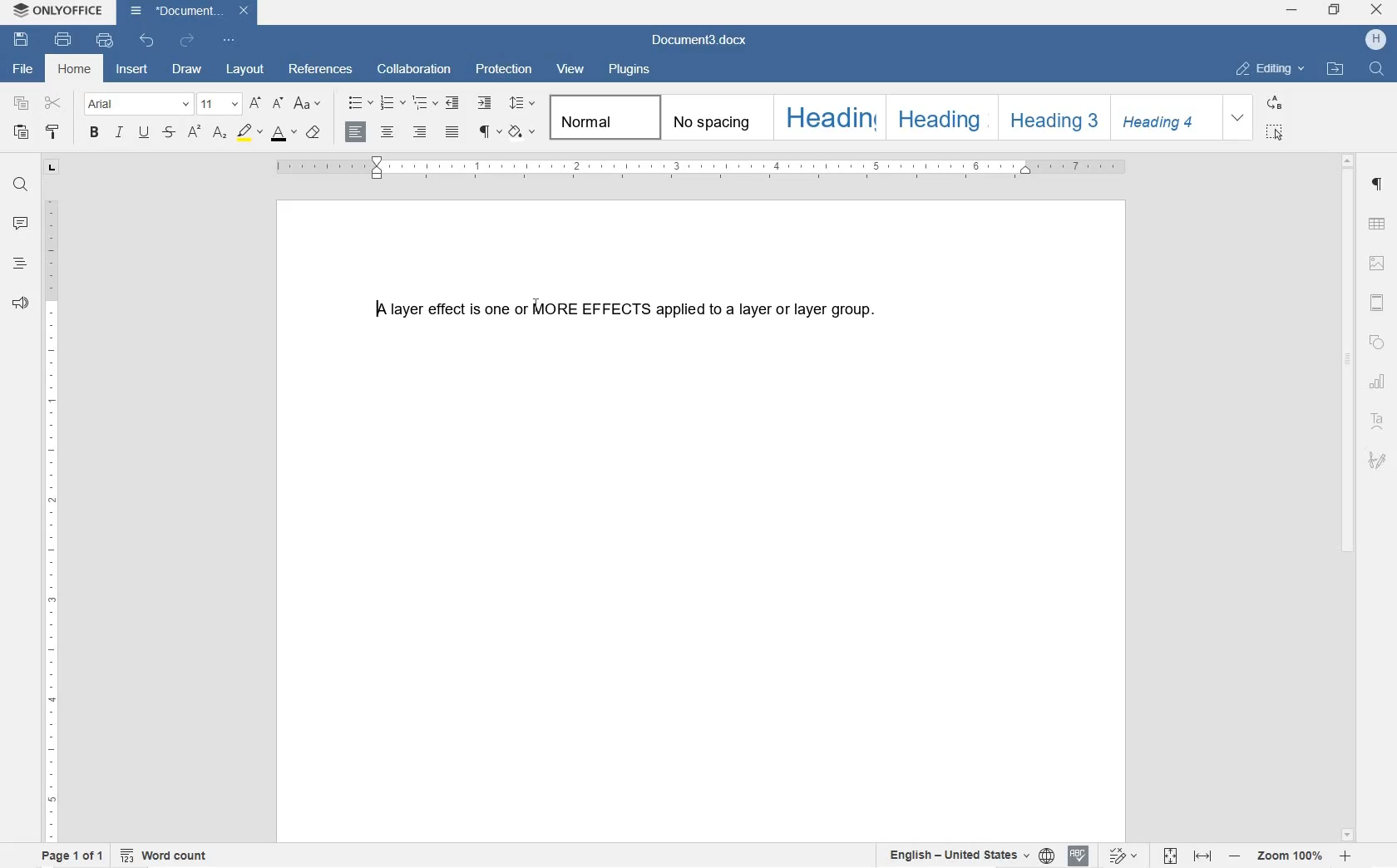  Describe the element at coordinates (488, 132) in the screenshot. I see `NONPRINTING CHARACTERS` at that location.